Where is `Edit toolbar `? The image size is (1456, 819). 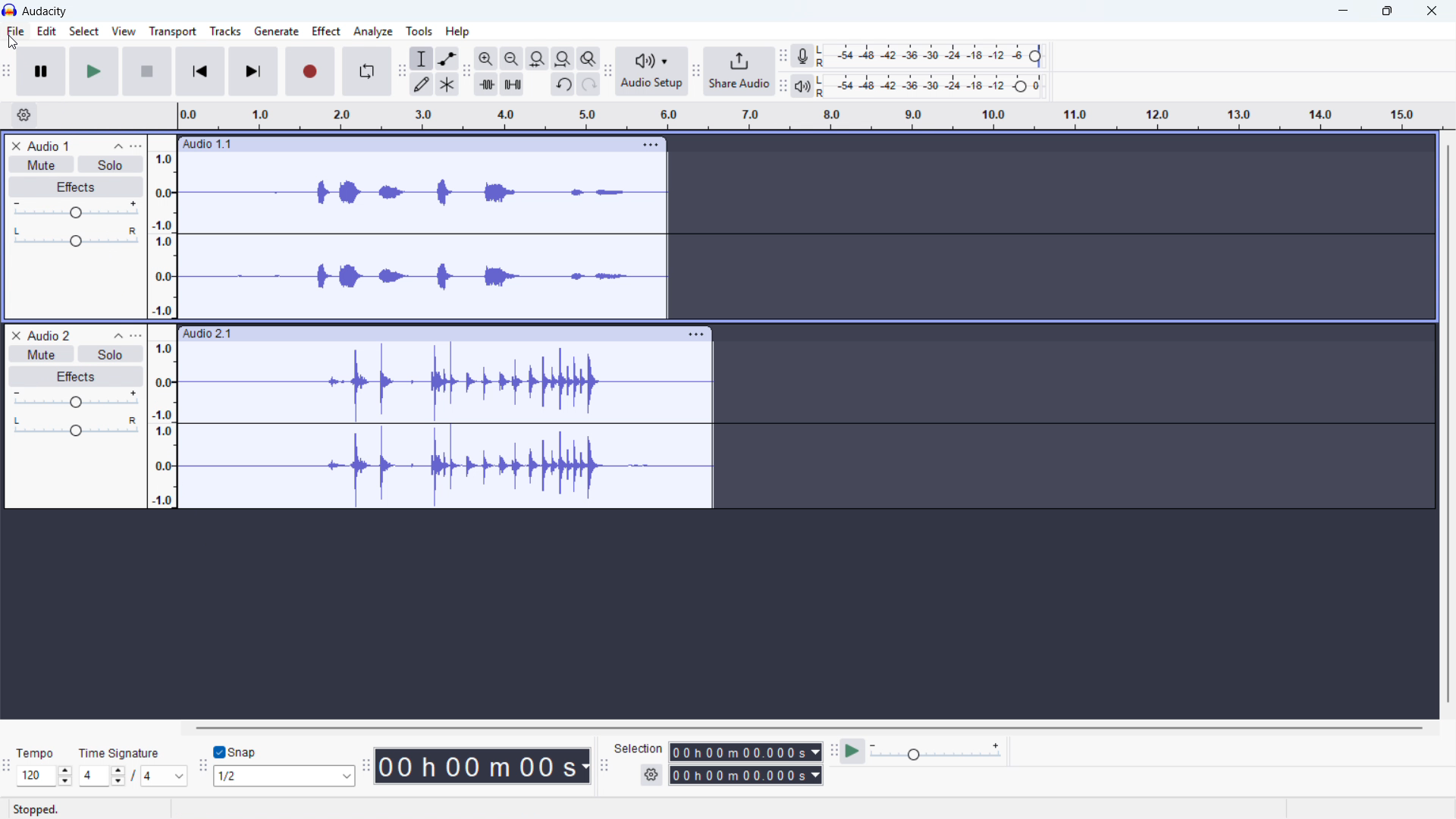 Edit toolbar  is located at coordinates (466, 71).